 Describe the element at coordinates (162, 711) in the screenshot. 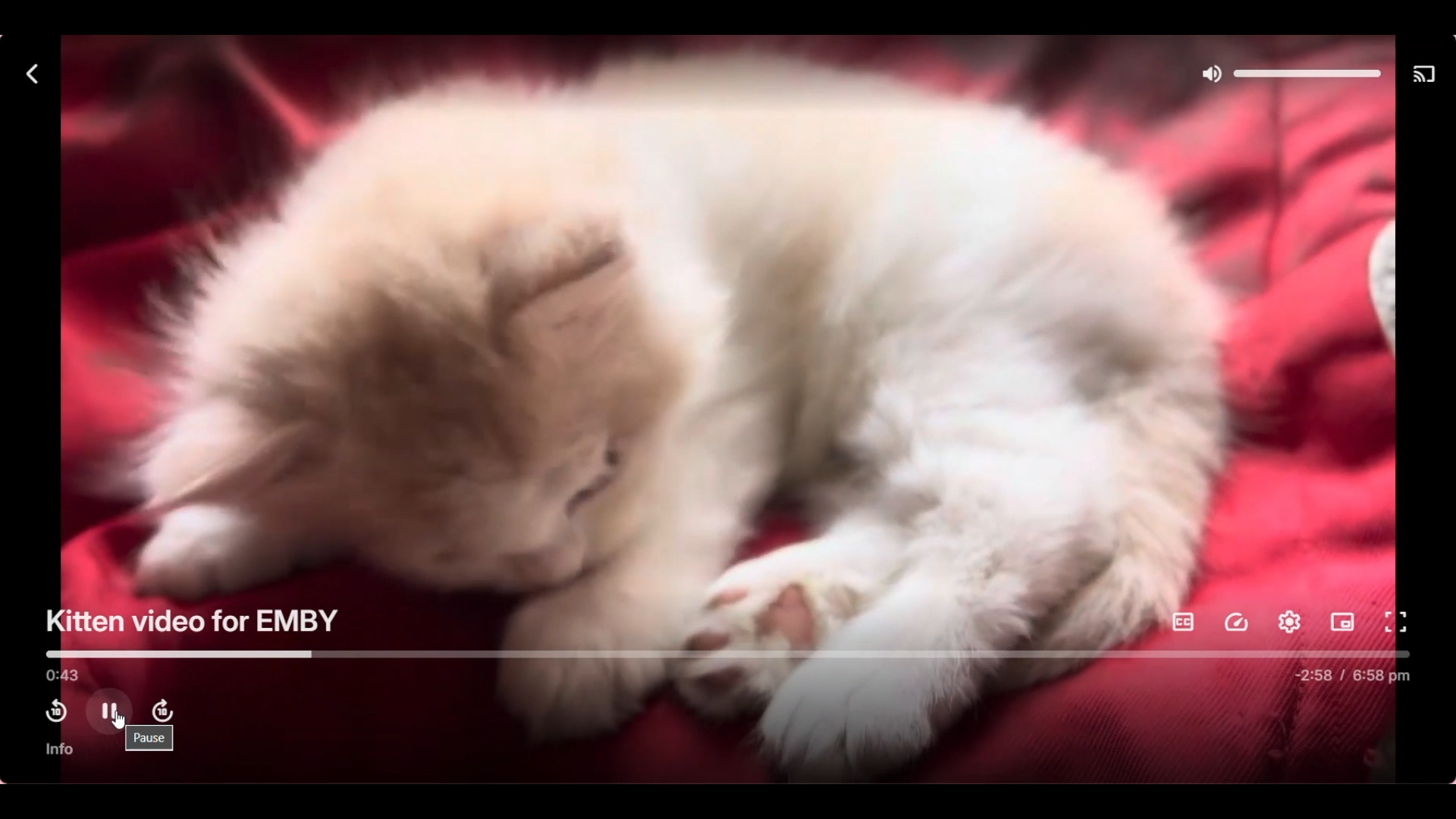

I see `Fast-forward by 10 seconds` at that location.